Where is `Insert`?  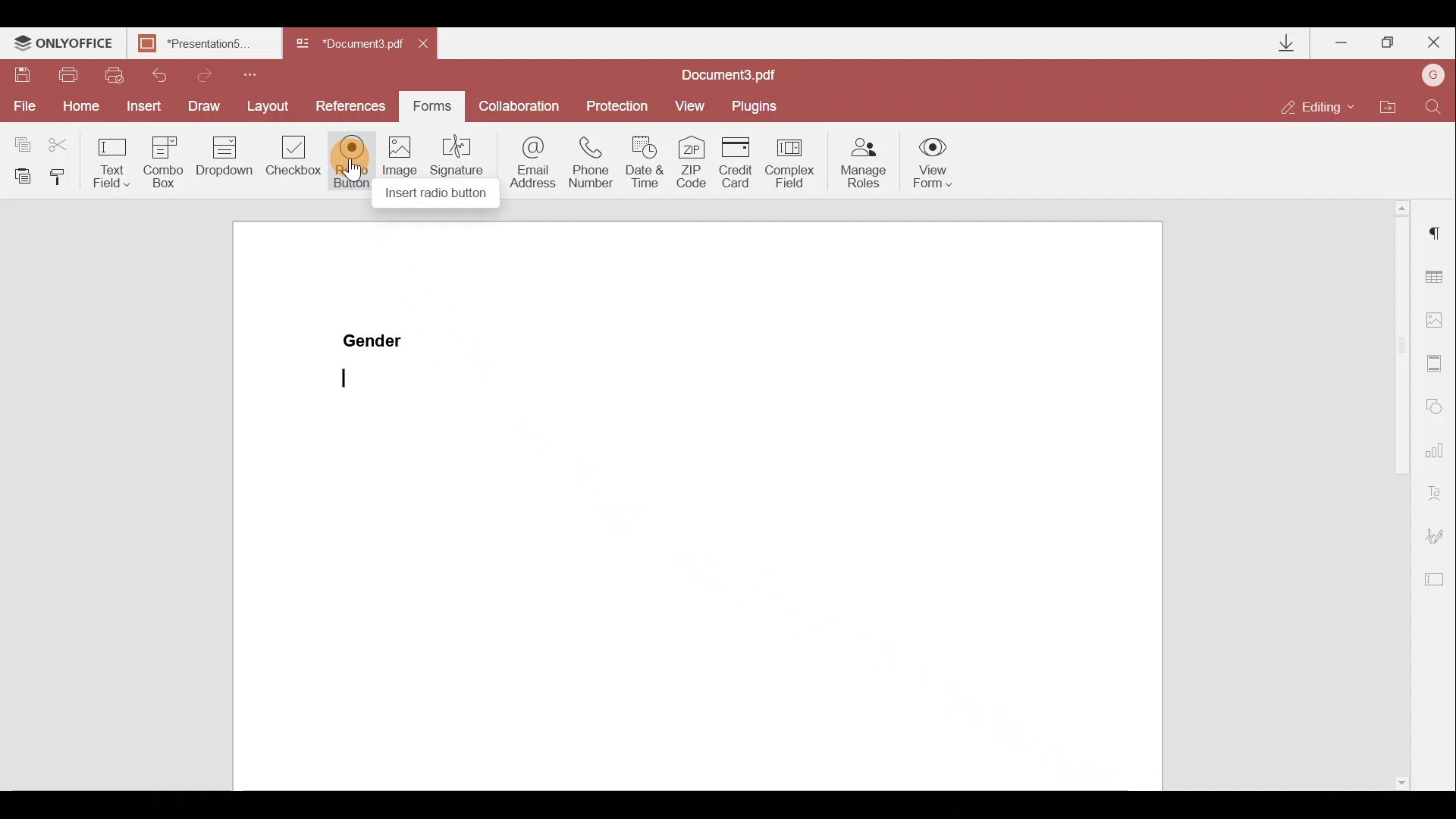 Insert is located at coordinates (142, 108).